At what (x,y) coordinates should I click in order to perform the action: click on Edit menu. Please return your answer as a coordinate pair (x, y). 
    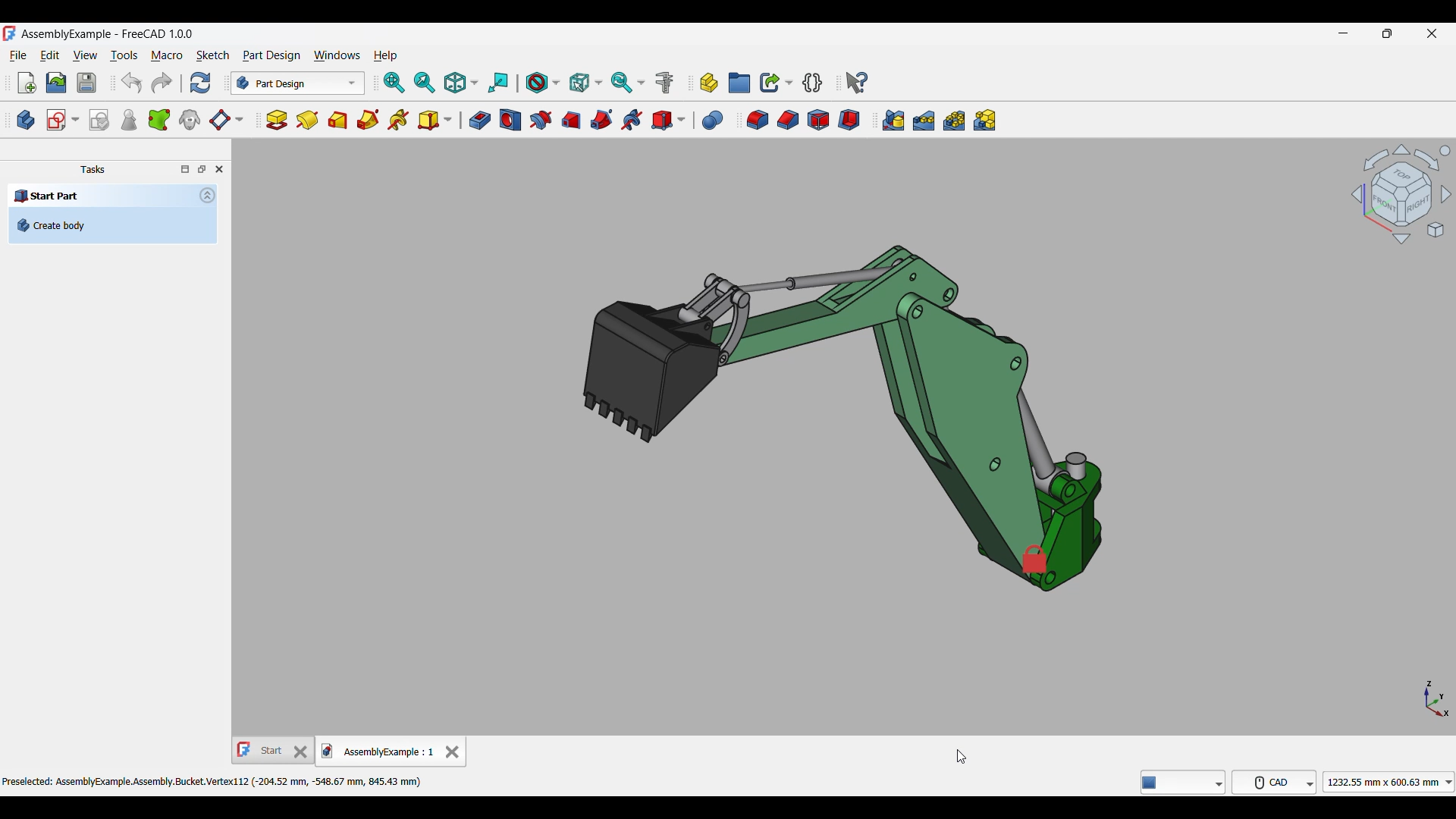
    Looking at the image, I should click on (49, 55).